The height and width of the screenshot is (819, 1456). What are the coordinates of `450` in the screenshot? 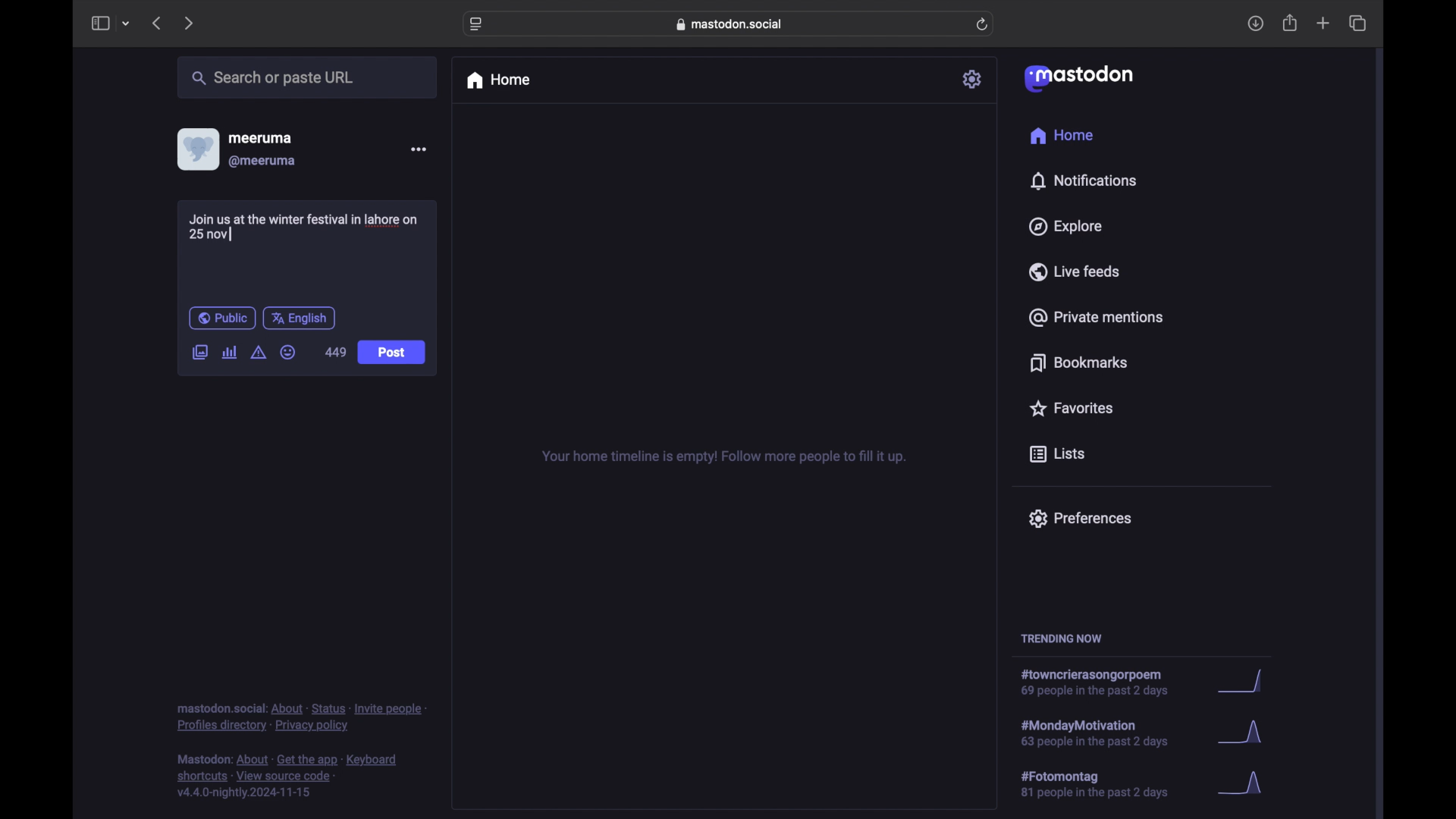 It's located at (336, 353).